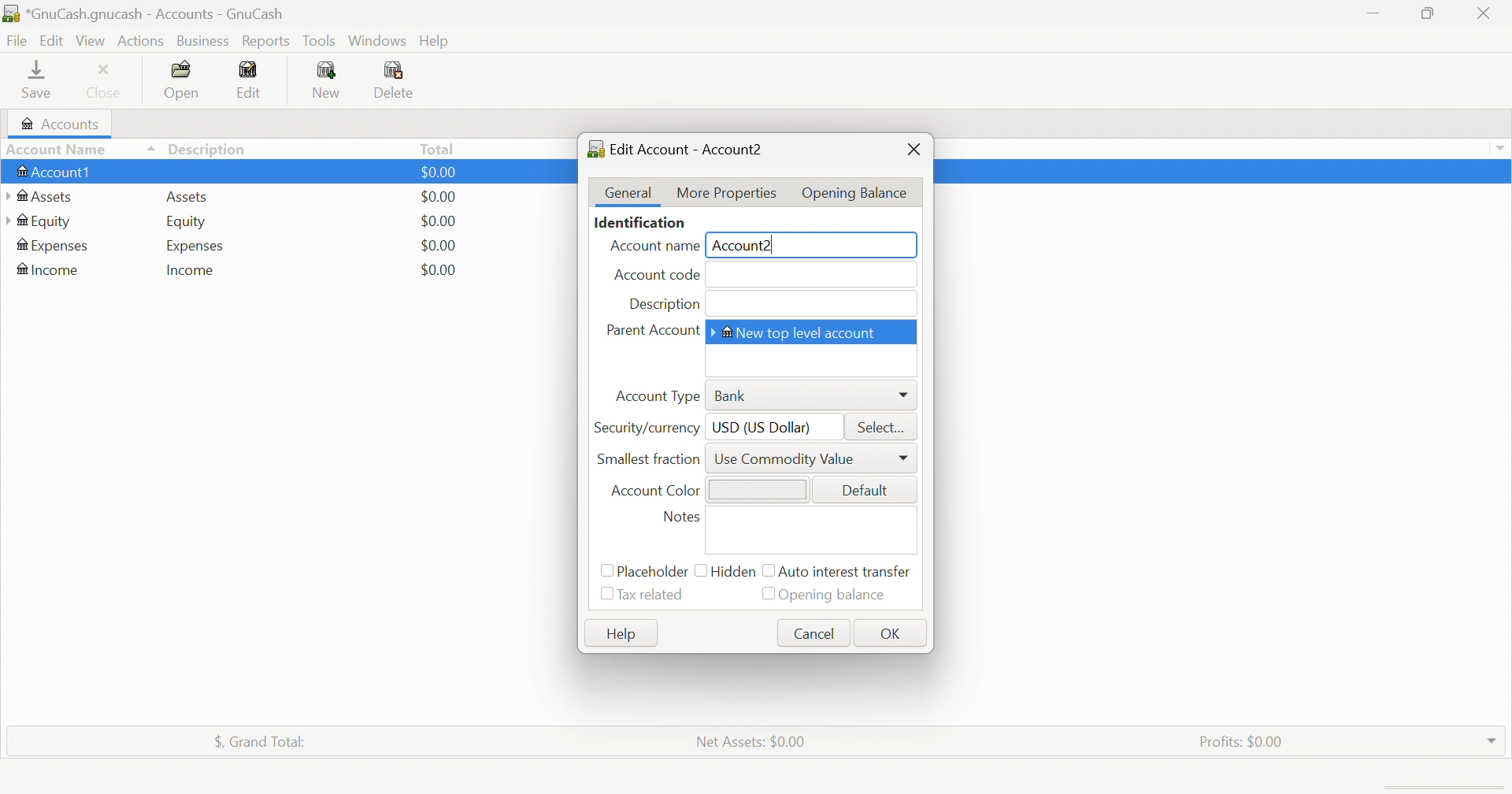  What do you see at coordinates (183, 198) in the screenshot?
I see `Assets` at bounding box center [183, 198].